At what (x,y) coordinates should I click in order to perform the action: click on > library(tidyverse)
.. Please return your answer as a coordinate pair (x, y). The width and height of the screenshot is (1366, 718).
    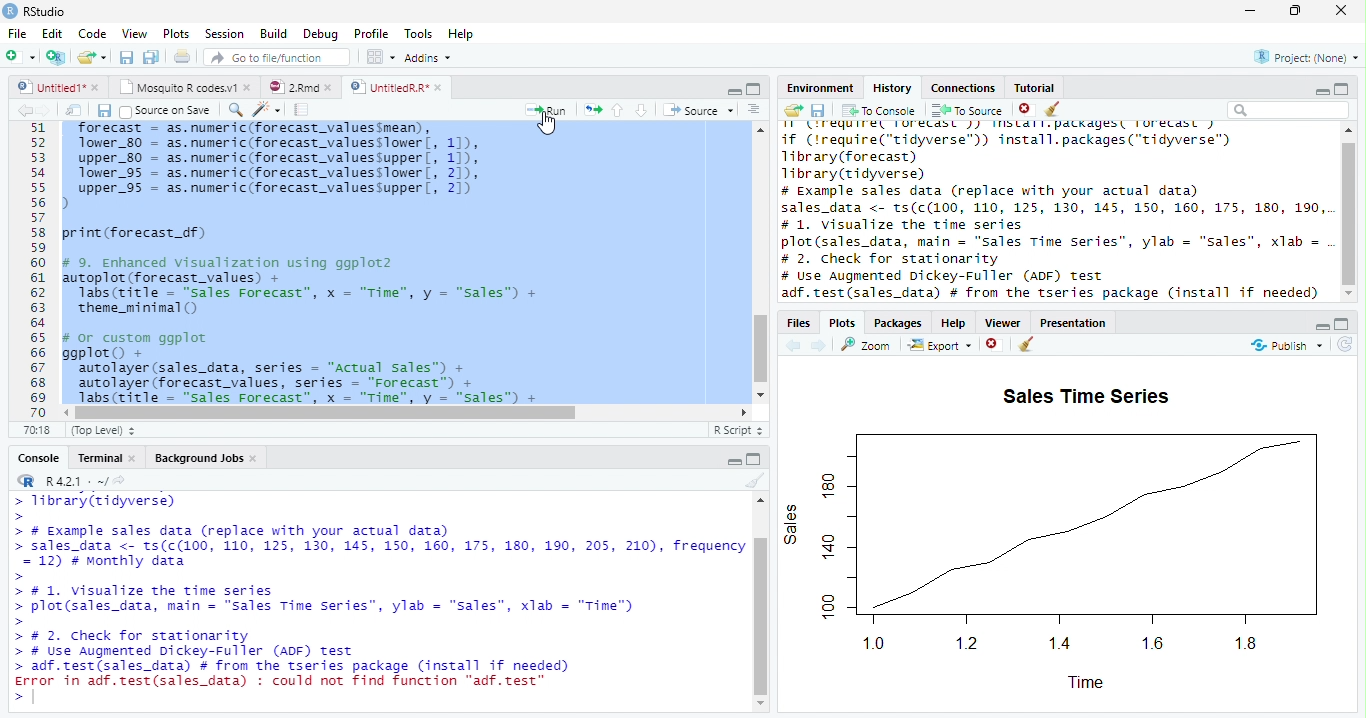
    Looking at the image, I should click on (107, 506).